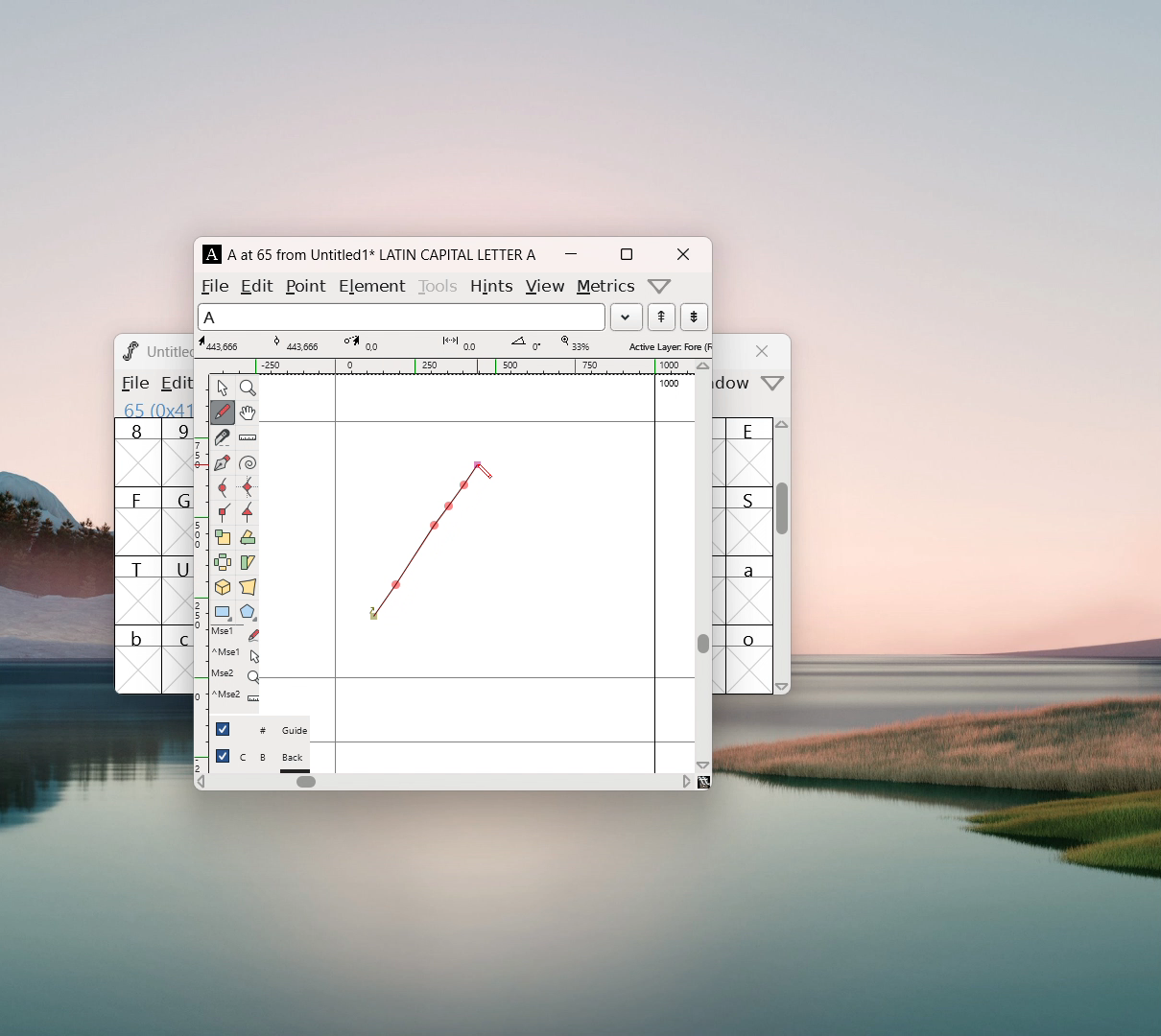 The width and height of the screenshot is (1161, 1036). I want to click on add a corner point, so click(222, 511).